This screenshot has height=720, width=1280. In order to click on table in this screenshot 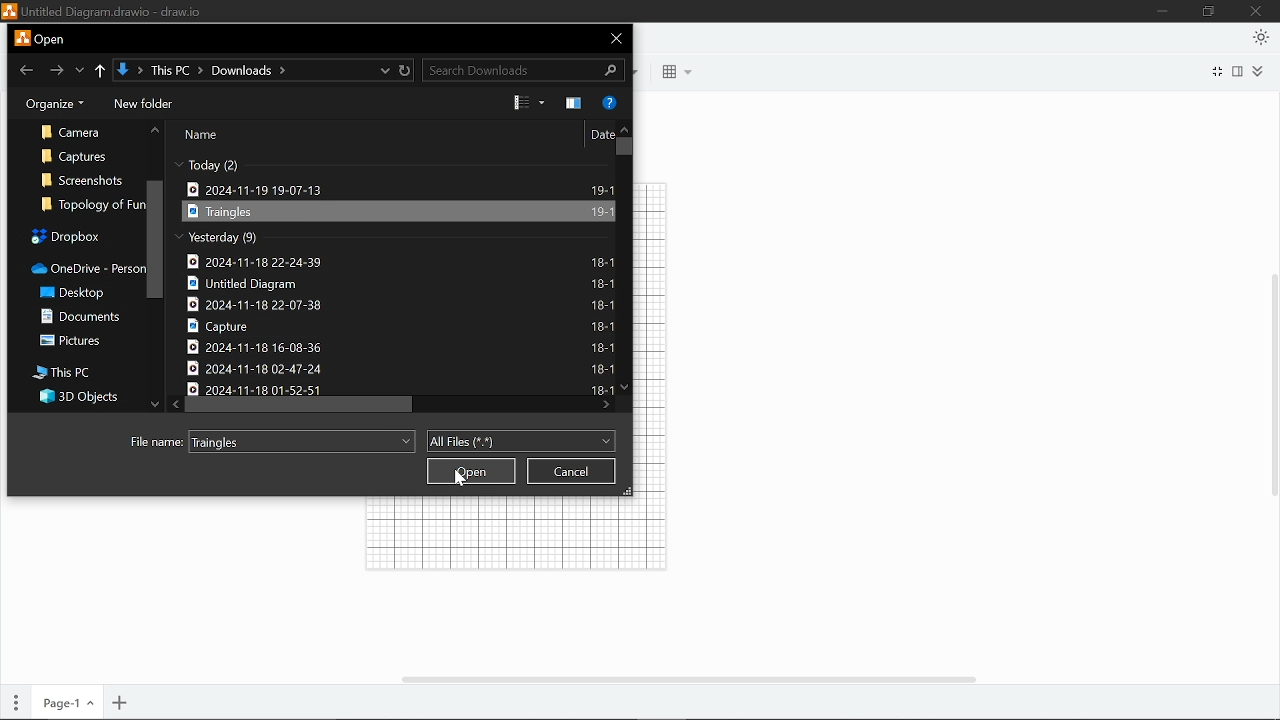, I will do `click(678, 72)`.